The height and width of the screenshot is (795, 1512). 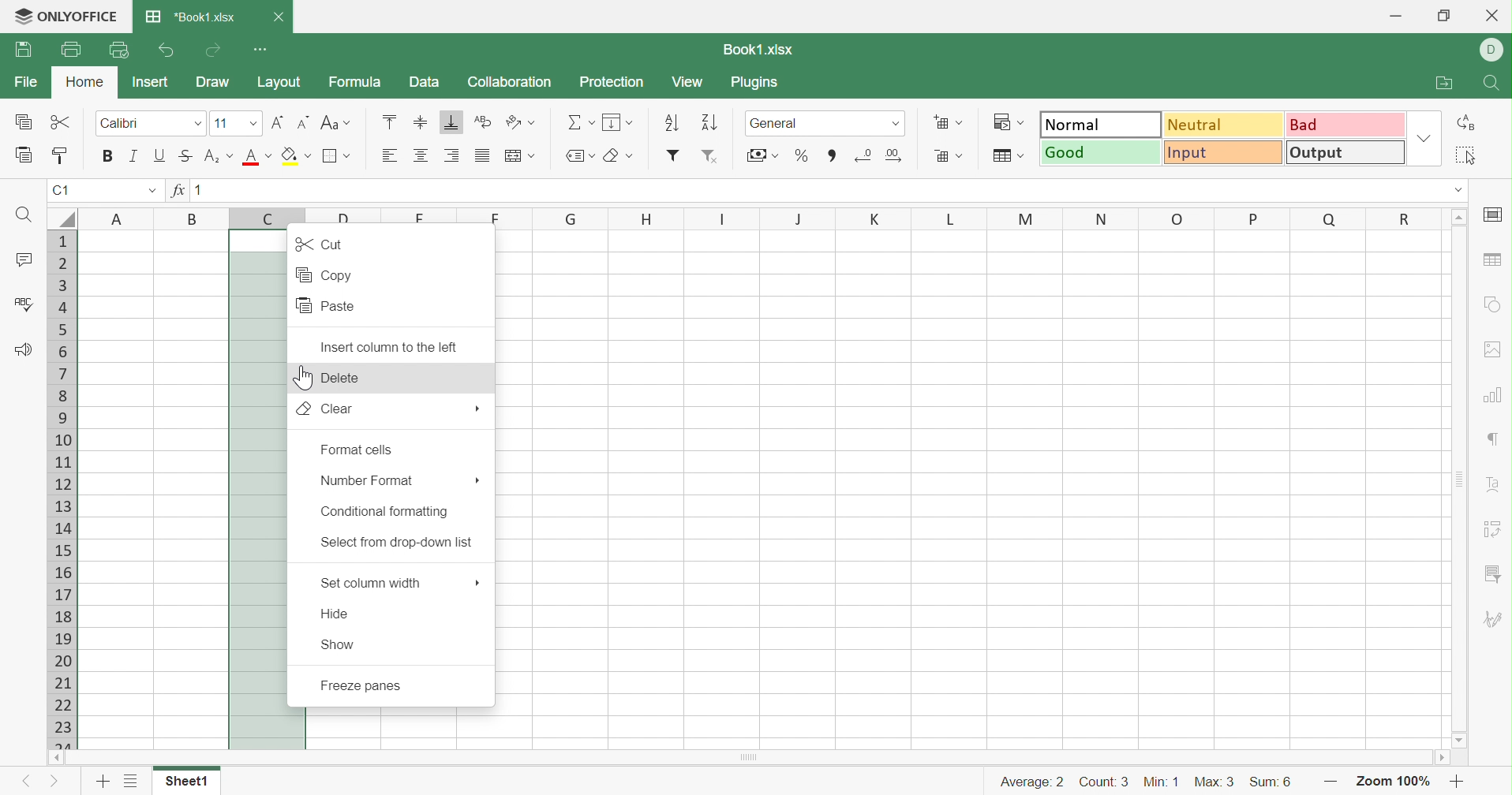 I want to click on Delete, so click(x=350, y=381).